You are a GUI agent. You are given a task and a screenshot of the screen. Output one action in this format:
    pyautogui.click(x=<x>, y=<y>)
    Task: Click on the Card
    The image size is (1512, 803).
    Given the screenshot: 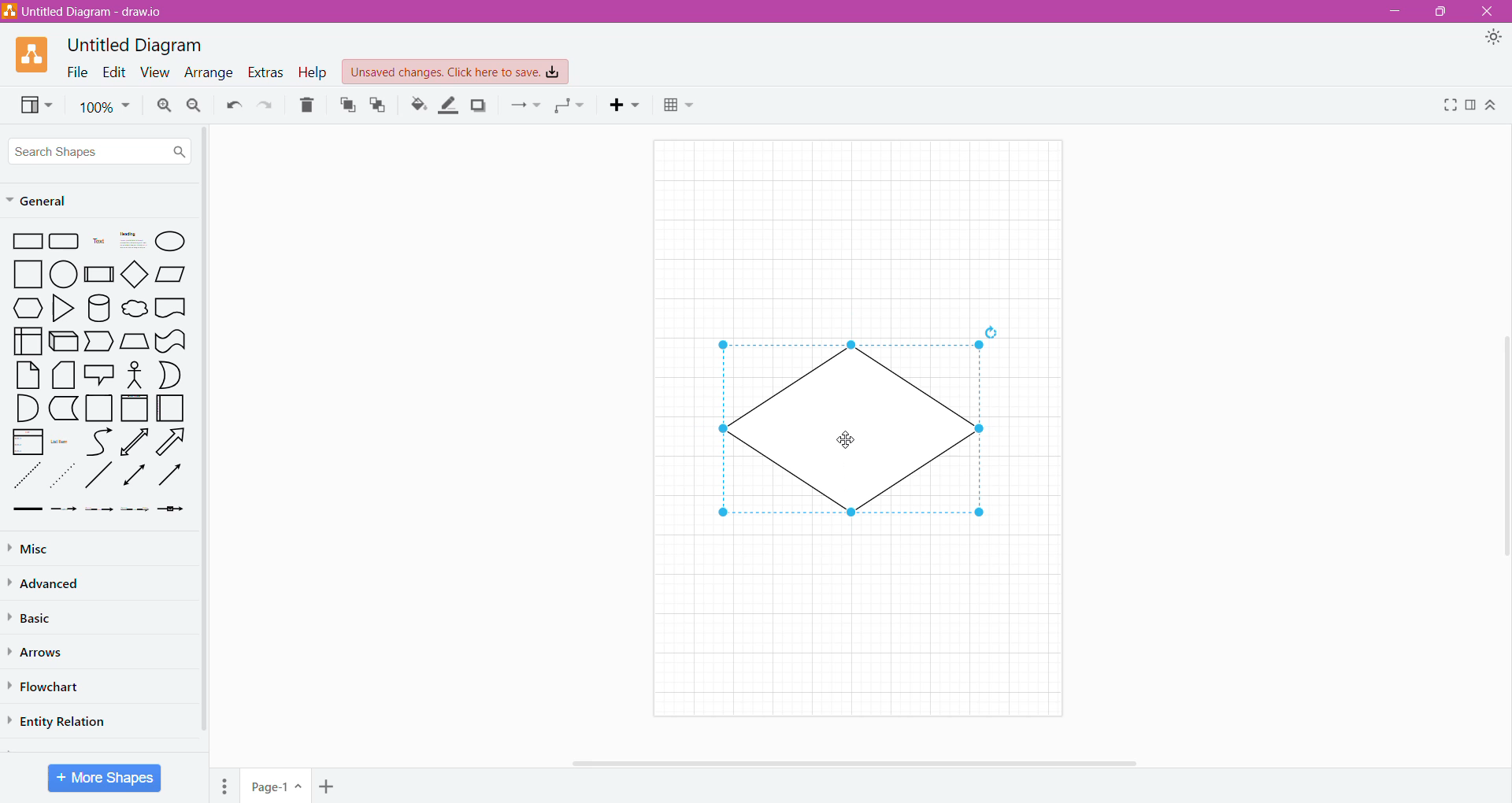 What is the action you would take?
    pyautogui.click(x=61, y=376)
    